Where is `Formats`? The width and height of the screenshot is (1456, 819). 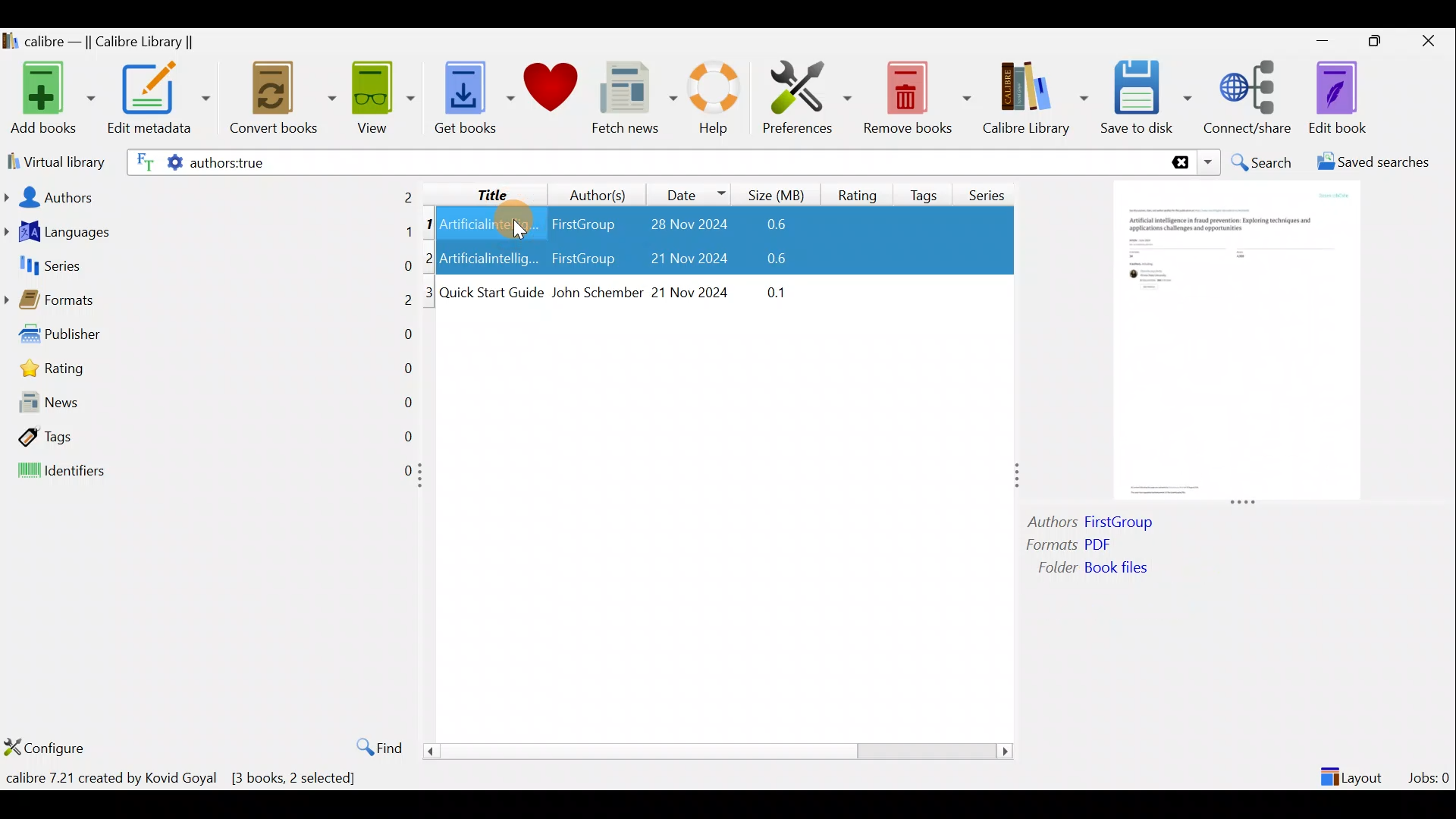 Formats is located at coordinates (209, 304).